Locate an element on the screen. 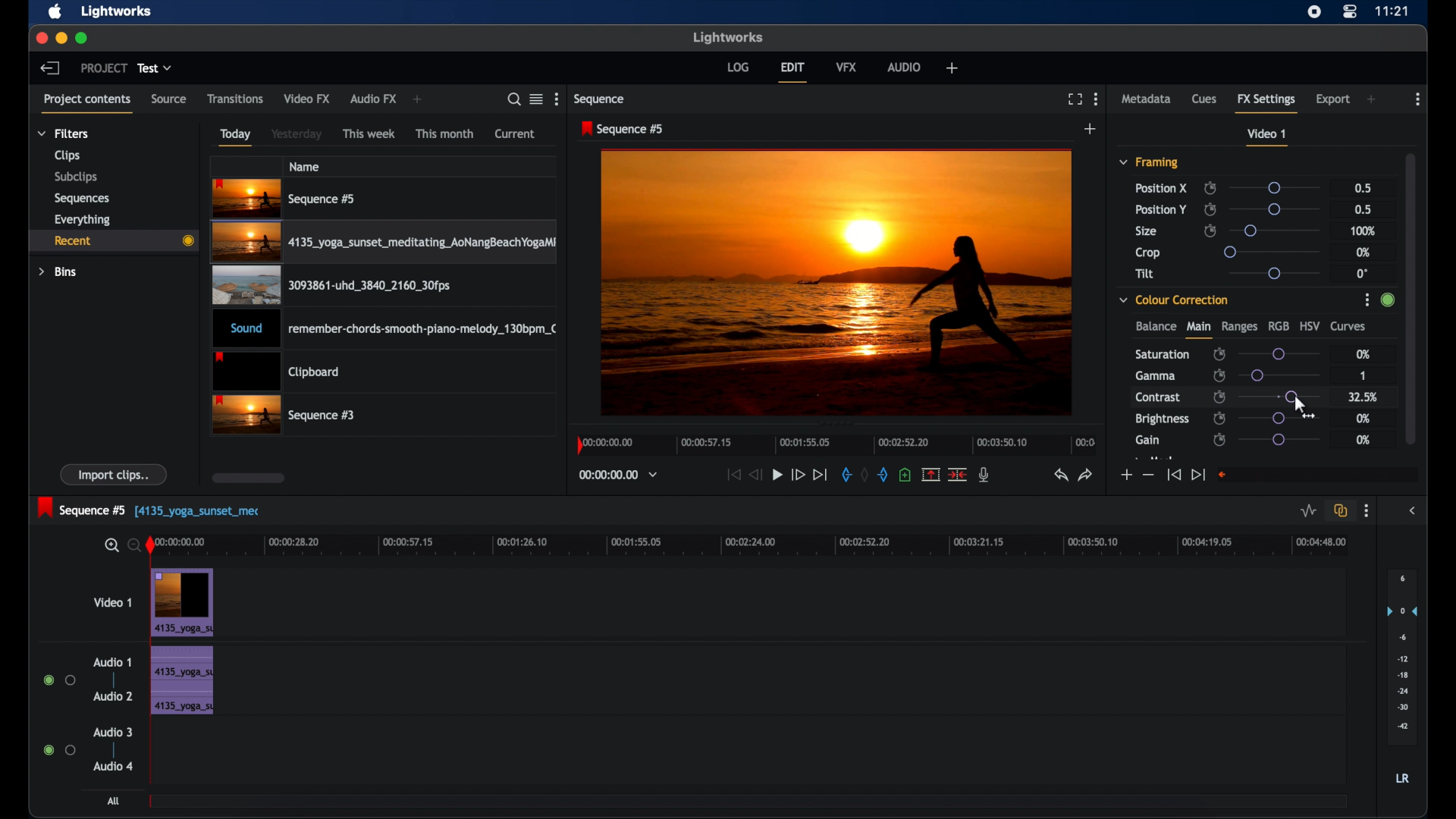  sequence is located at coordinates (623, 129).